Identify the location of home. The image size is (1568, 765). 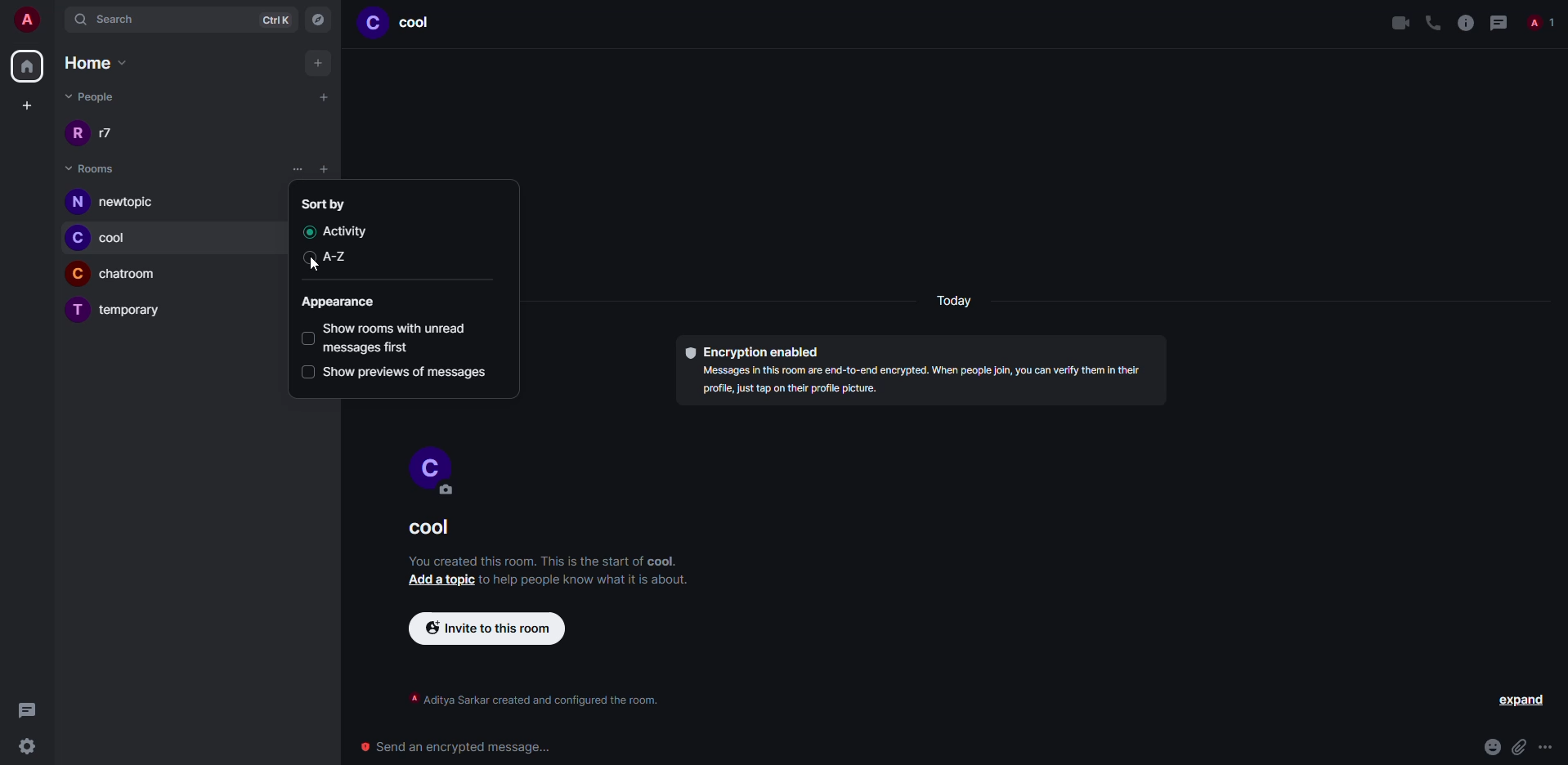
(96, 64).